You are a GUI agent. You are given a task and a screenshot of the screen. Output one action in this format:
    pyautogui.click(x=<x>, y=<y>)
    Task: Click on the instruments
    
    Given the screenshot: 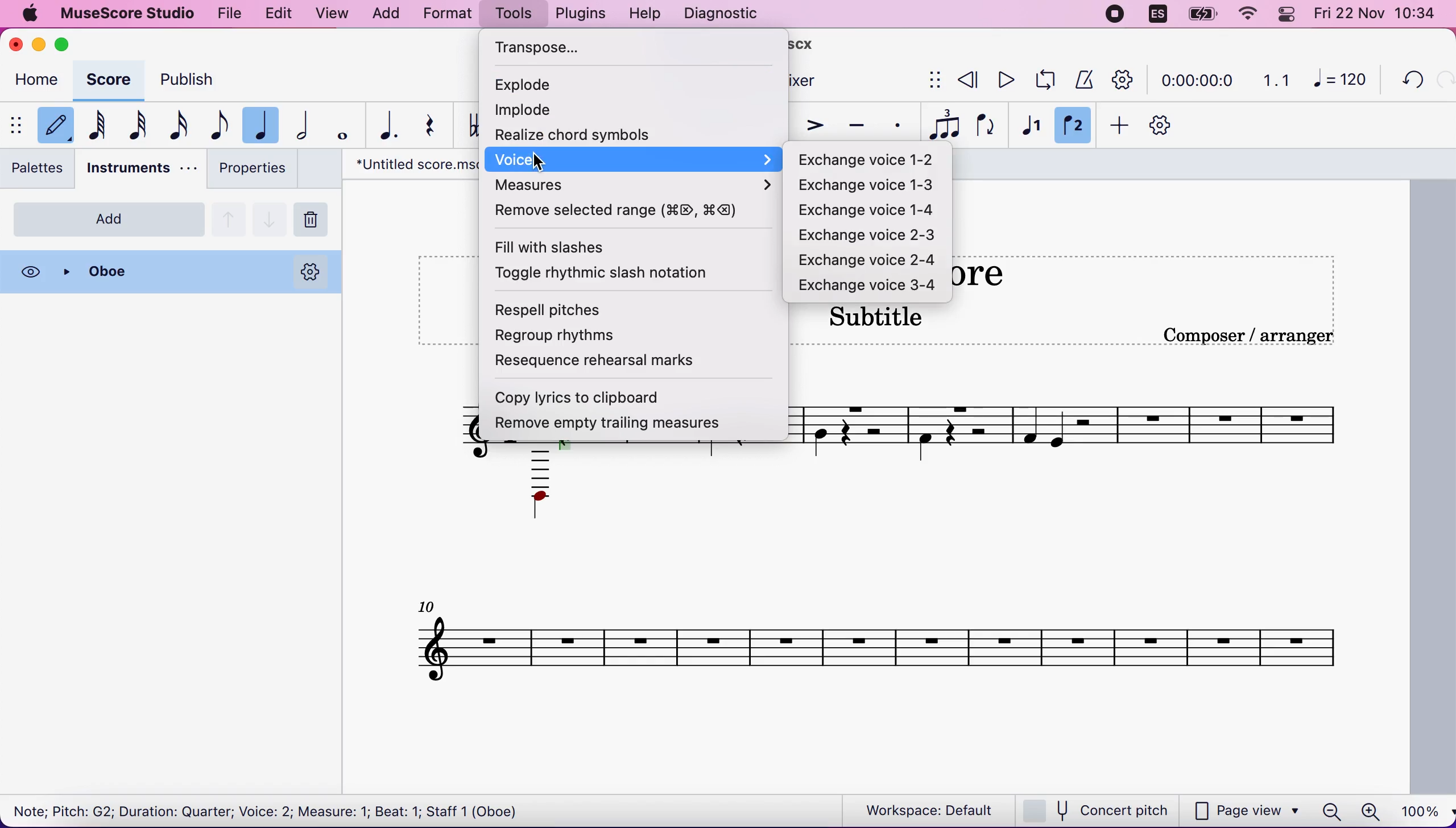 What is the action you would take?
    pyautogui.click(x=141, y=168)
    